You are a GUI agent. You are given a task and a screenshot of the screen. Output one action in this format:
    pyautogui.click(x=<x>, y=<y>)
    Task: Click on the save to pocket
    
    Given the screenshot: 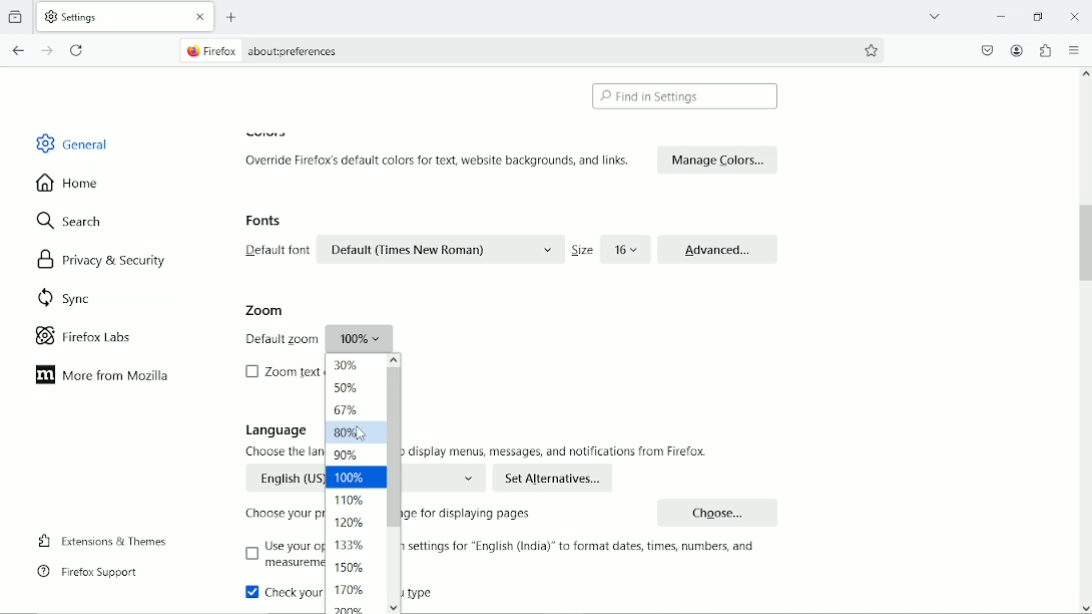 What is the action you would take?
    pyautogui.click(x=985, y=50)
    